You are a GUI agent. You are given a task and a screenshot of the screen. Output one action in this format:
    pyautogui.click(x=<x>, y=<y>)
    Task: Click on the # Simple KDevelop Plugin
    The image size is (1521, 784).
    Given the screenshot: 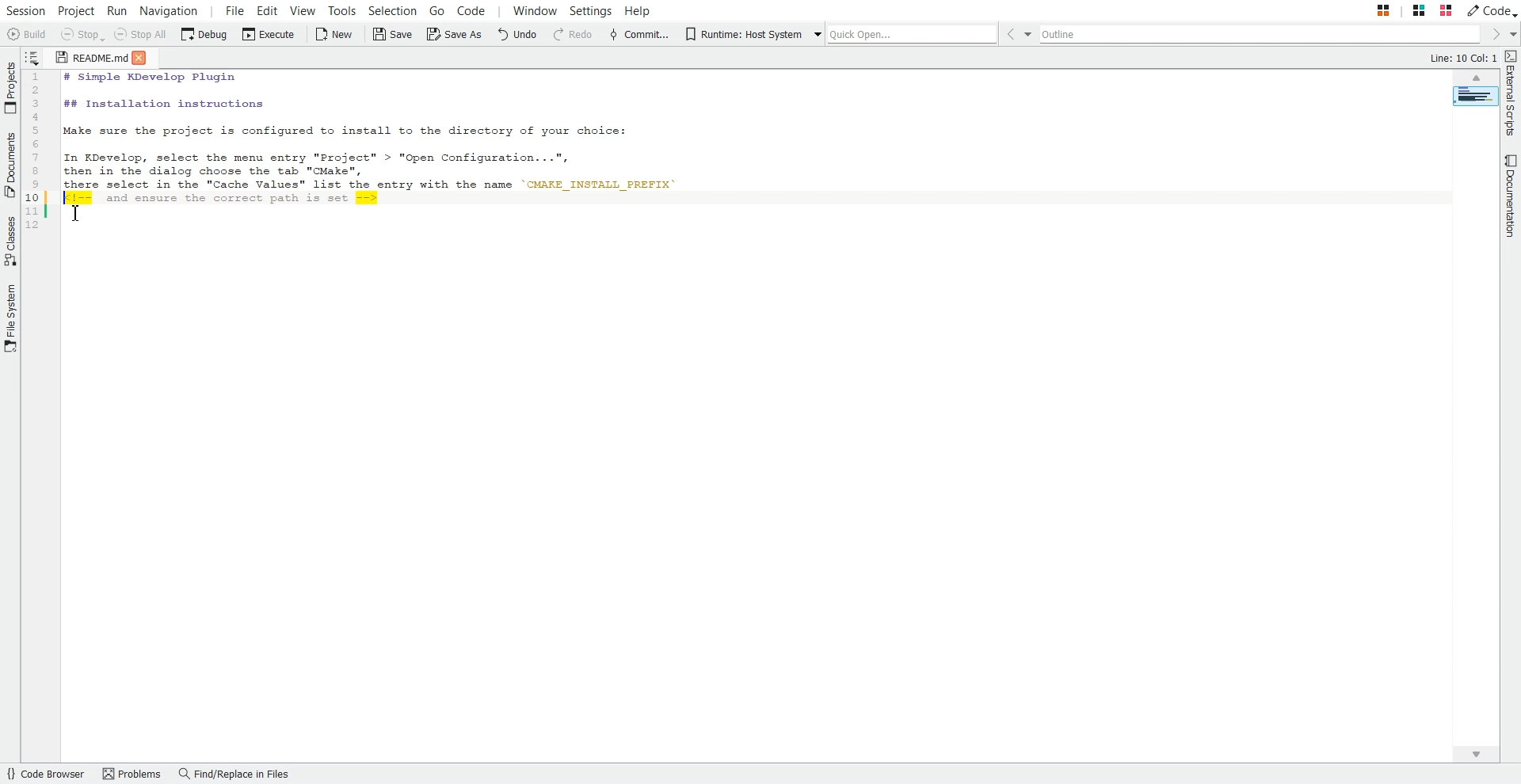 What is the action you would take?
    pyautogui.click(x=147, y=78)
    